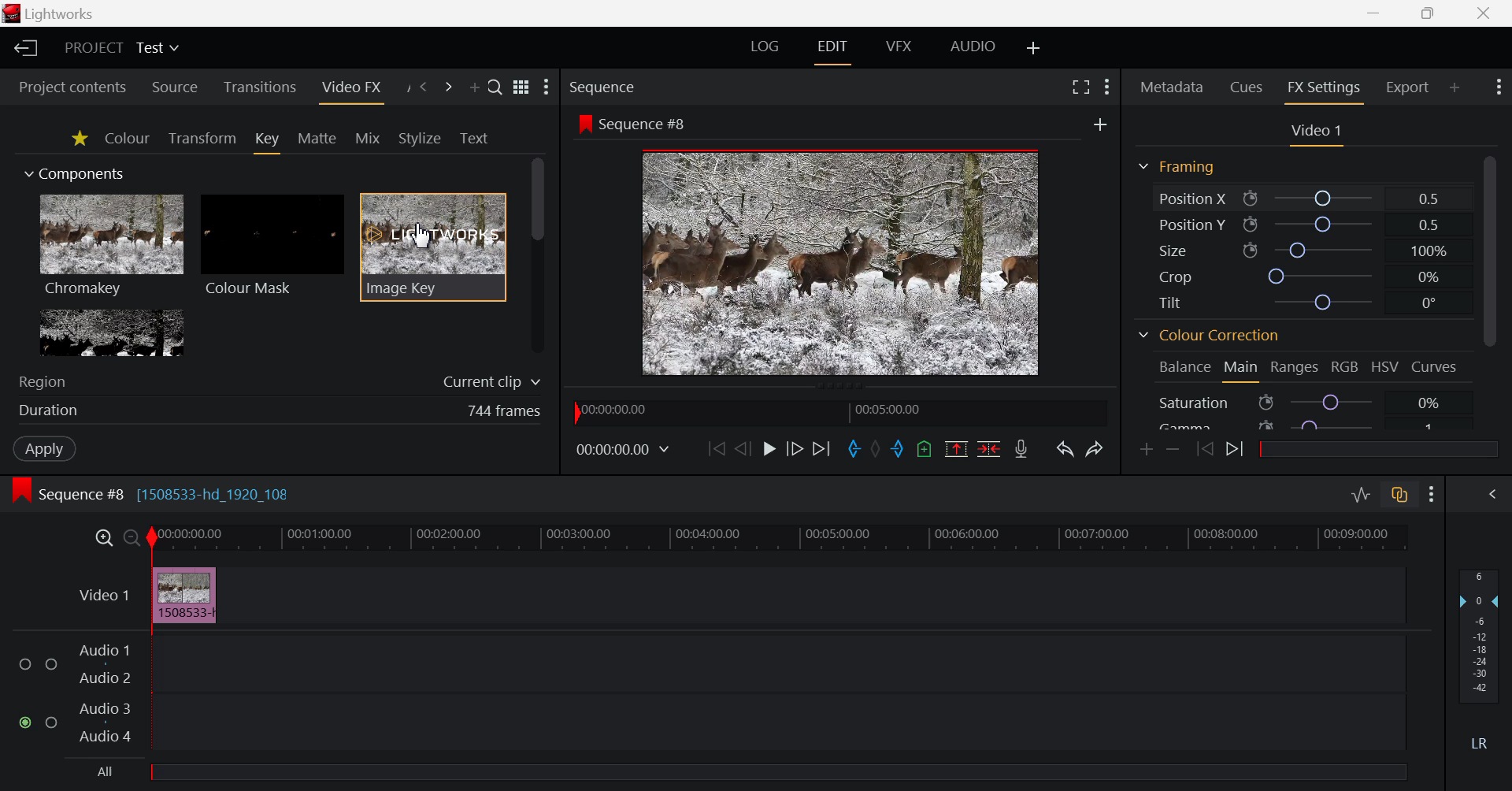 This screenshot has width=1512, height=791. Describe the element at coordinates (1294, 366) in the screenshot. I see `Ranges` at that location.